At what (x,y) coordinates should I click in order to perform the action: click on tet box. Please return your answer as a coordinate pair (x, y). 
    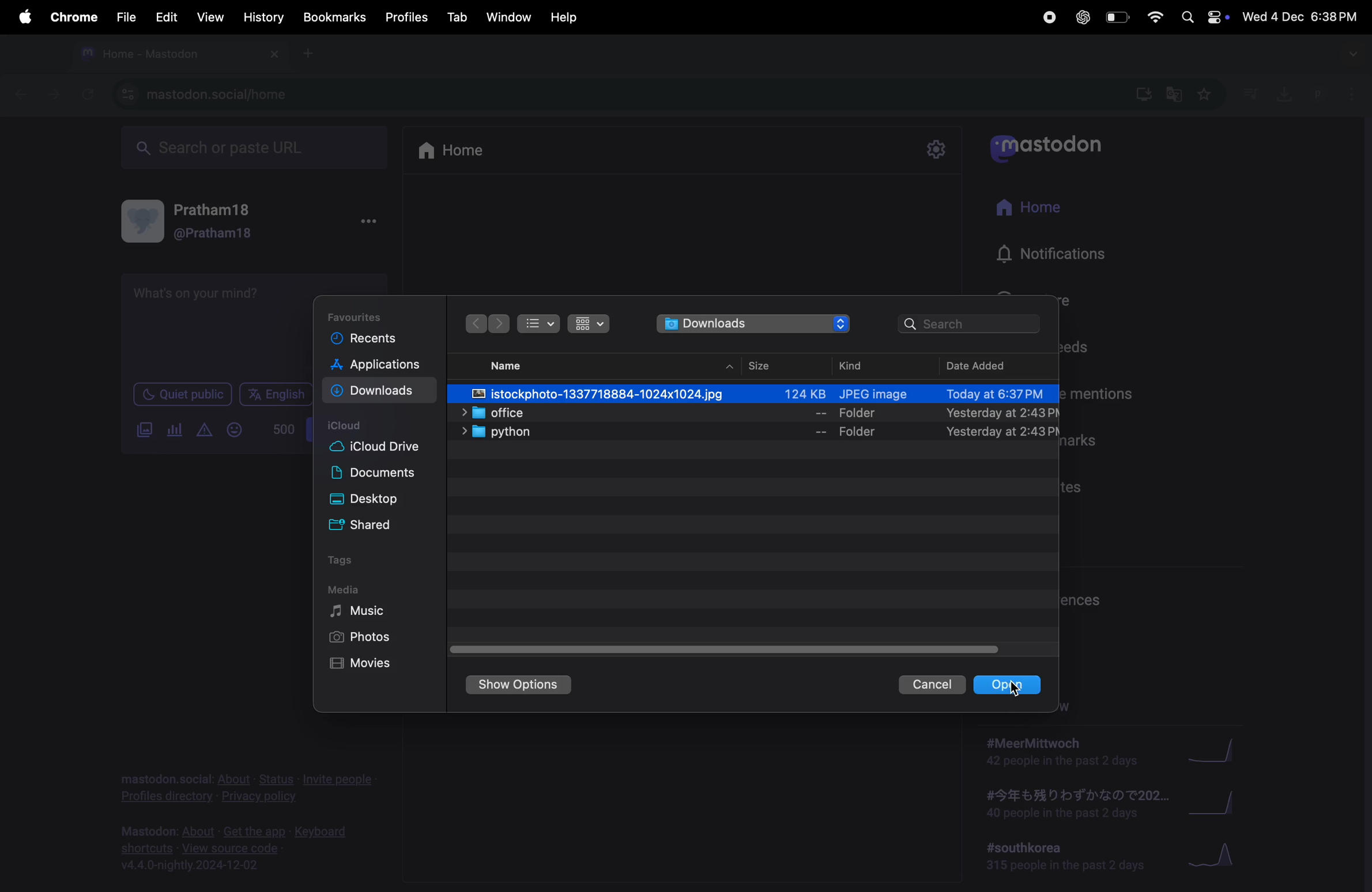
    Looking at the image, I should click on (218, 321).